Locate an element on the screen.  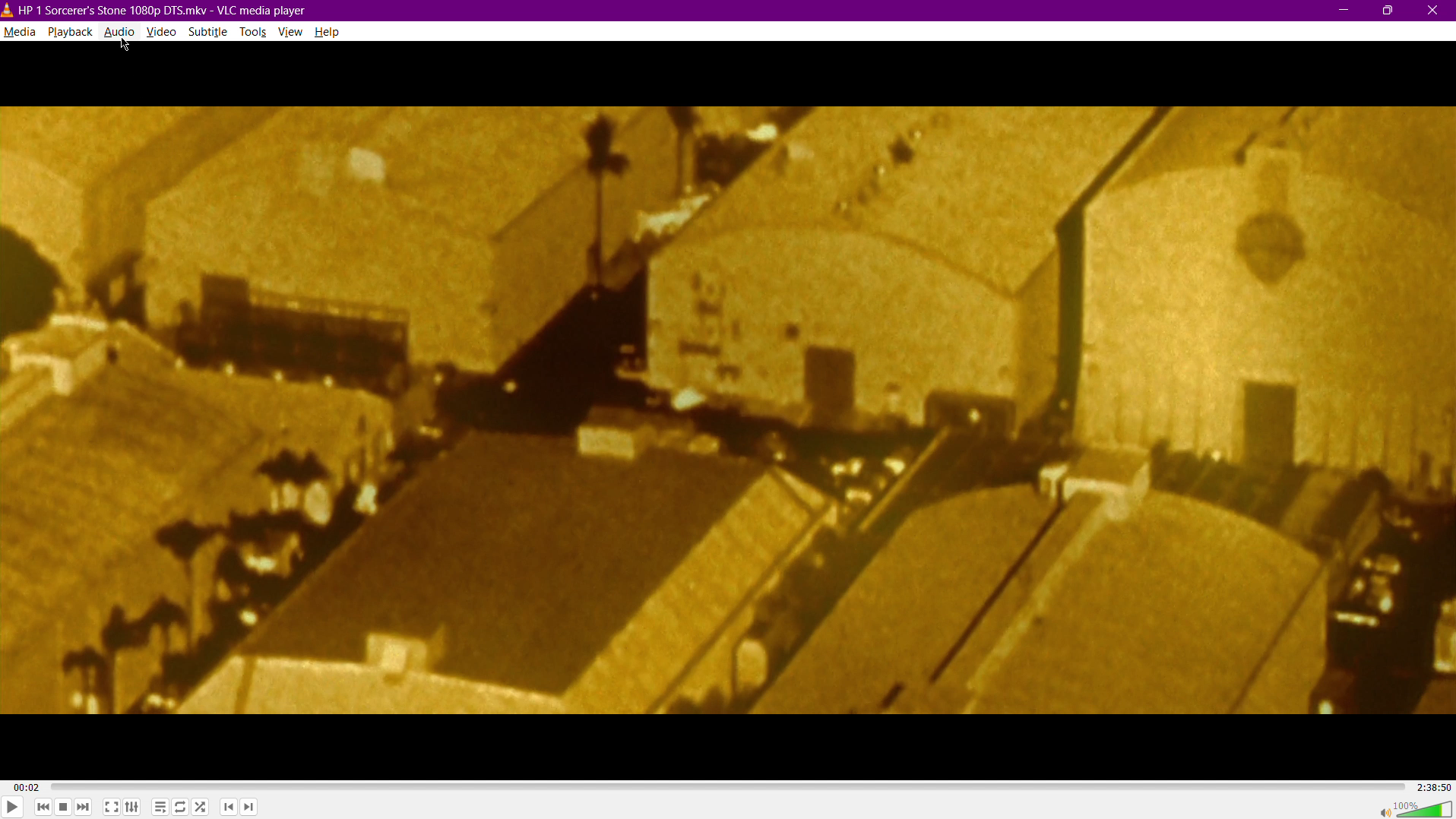
Play is located at coordinates (12, 805).